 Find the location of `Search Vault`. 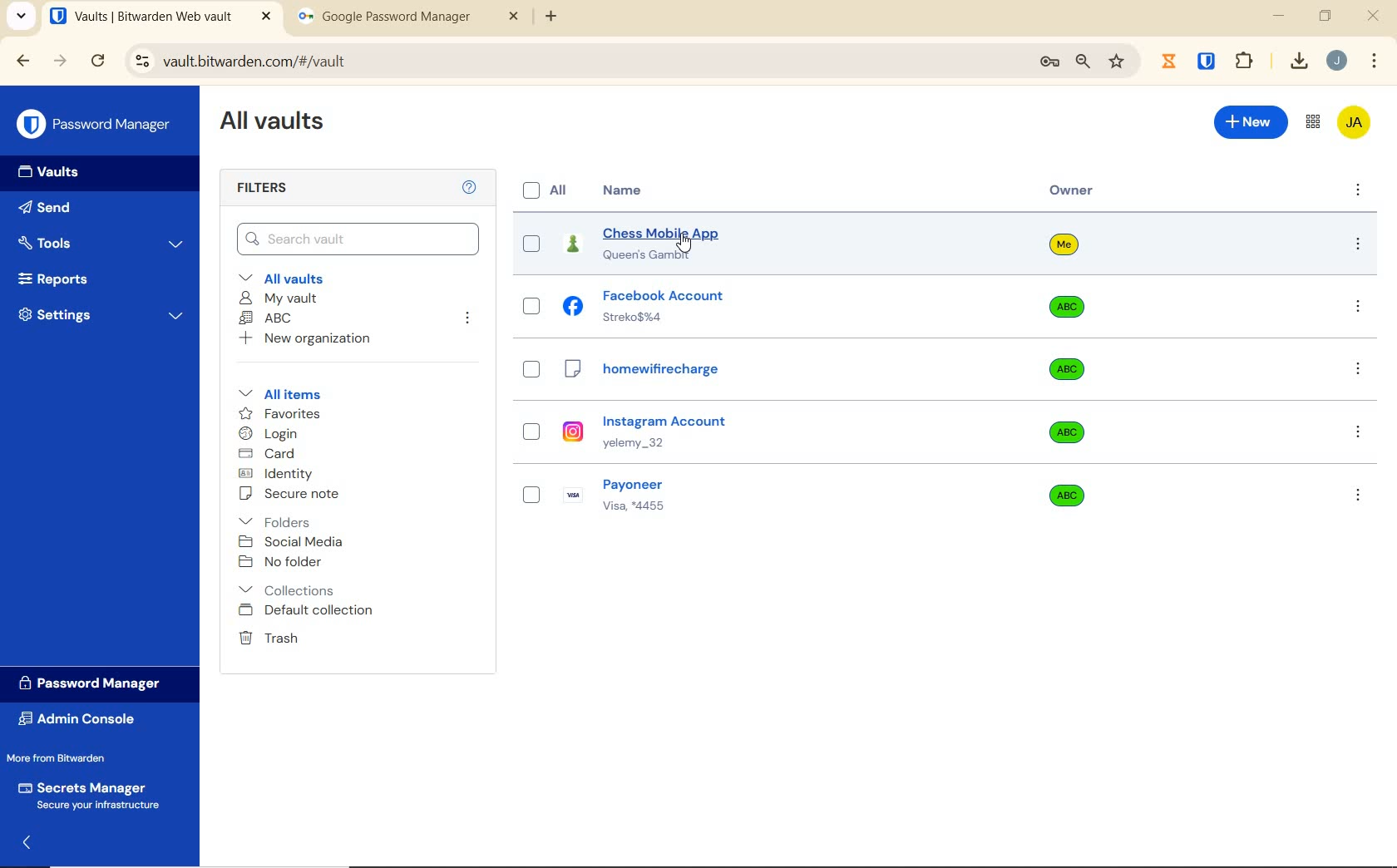

Search Vault is located at coordinates (359, 239).